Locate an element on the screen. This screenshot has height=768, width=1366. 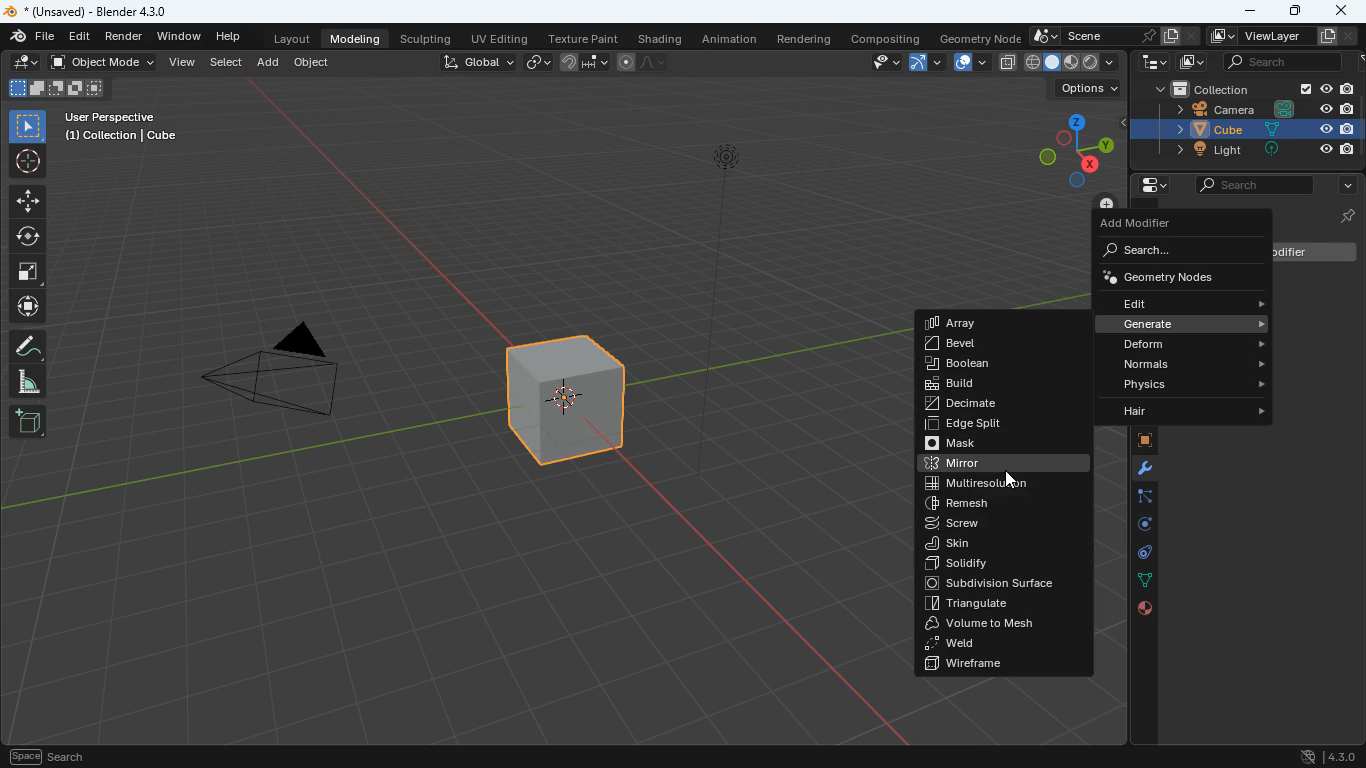
weld is located at coordinates (1001, 643).